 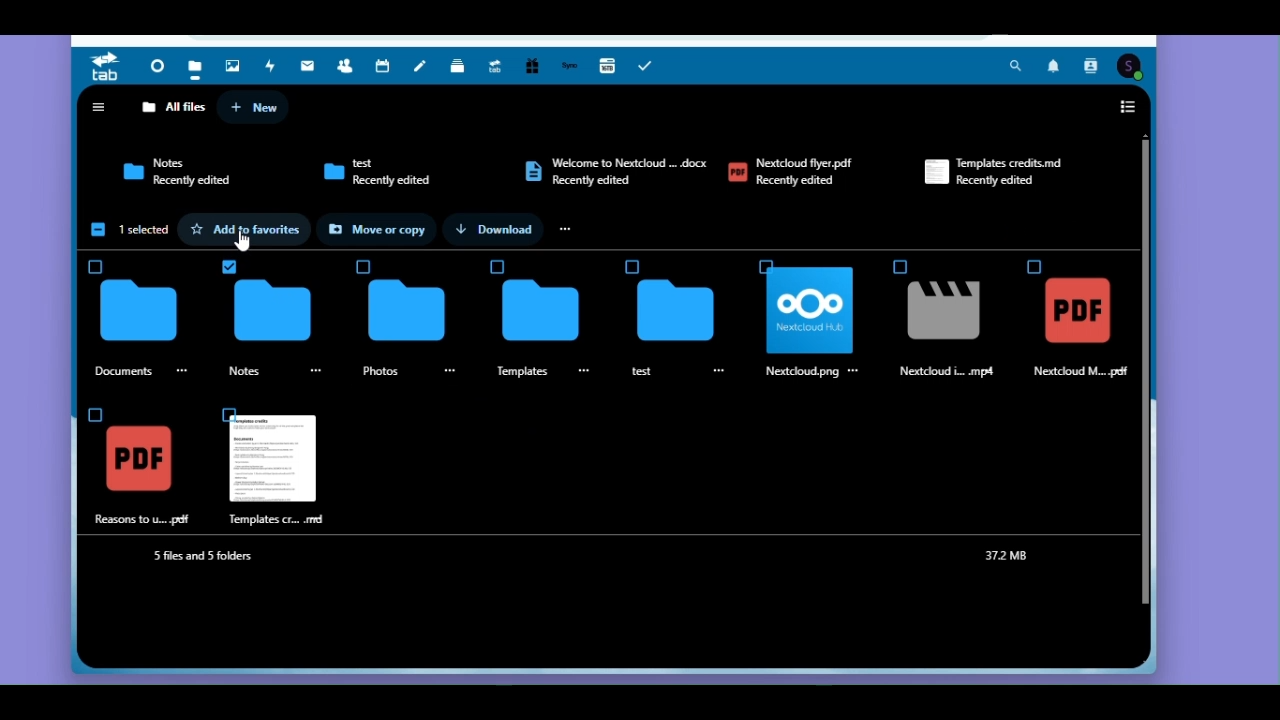 I want to click on Welcome to Netcloud ... docx, so click(x=627, y=159).